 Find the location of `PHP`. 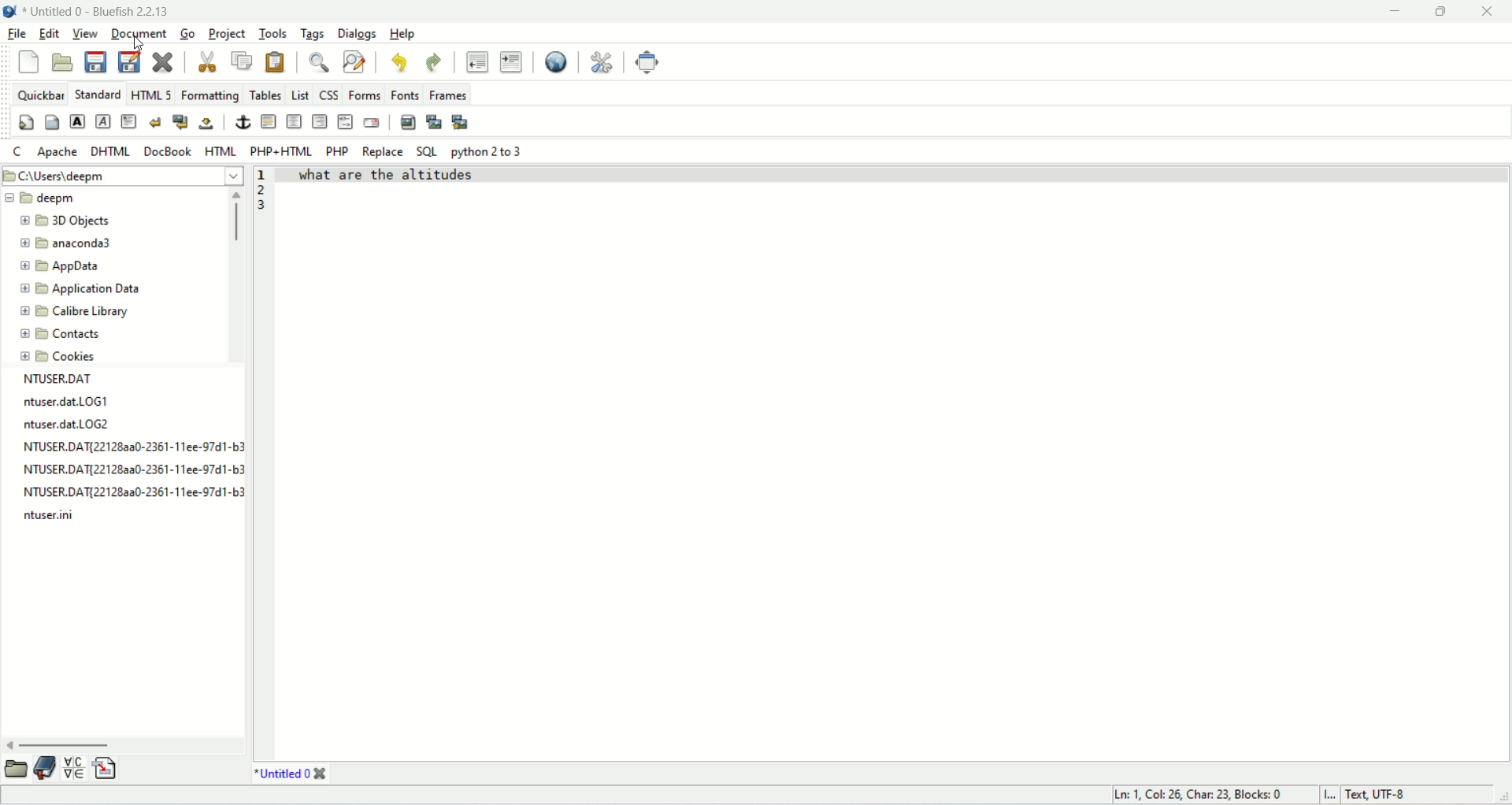

PHP is located at coordinates (336, 150).